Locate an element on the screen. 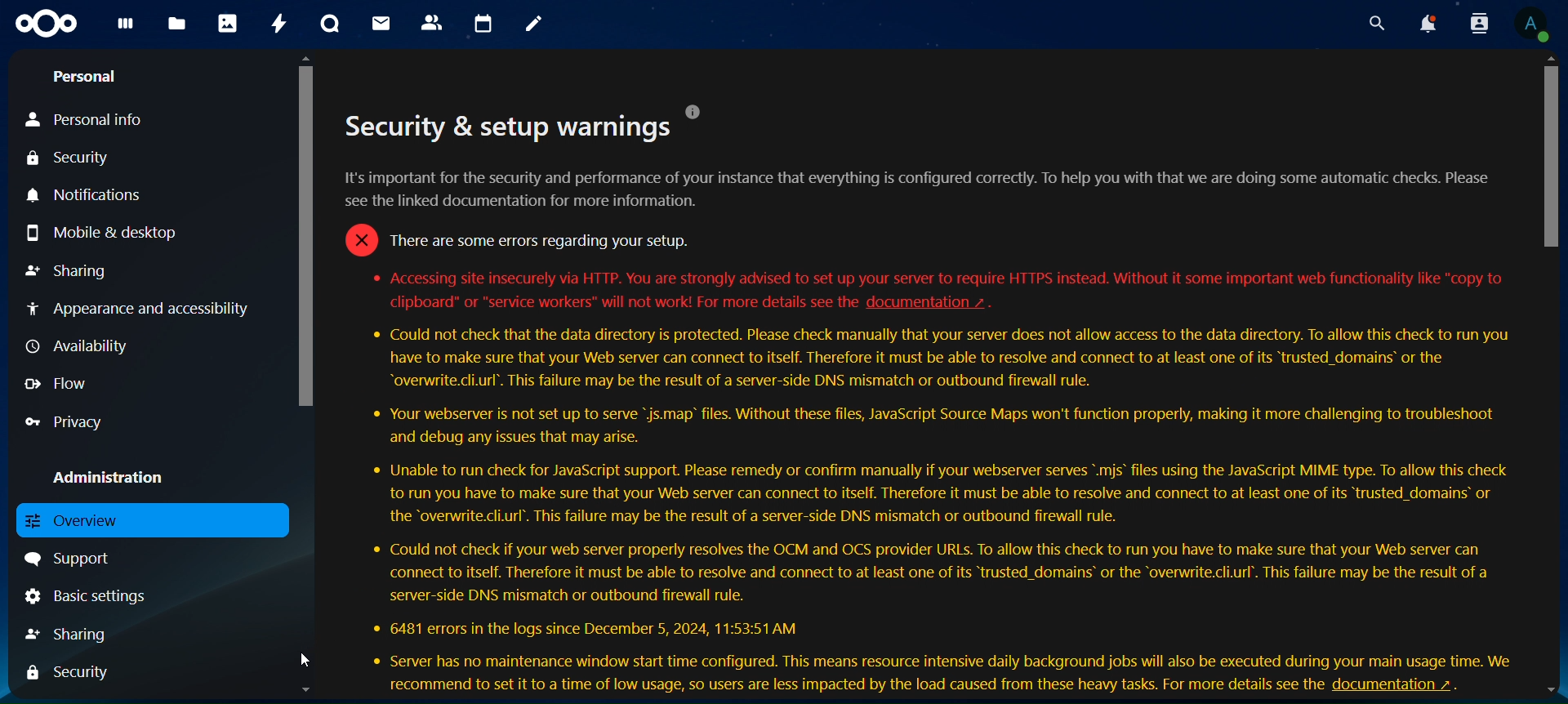  hyperlink is located at coordinates (939, 301).